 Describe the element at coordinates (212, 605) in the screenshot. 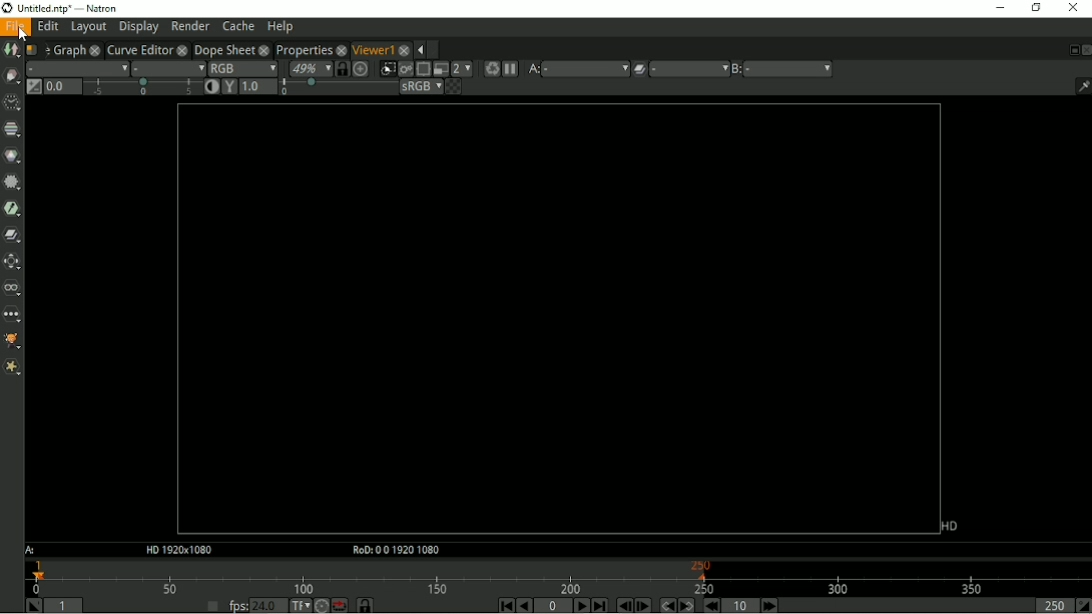

I see `Set playback frame rate automatically` at that location.